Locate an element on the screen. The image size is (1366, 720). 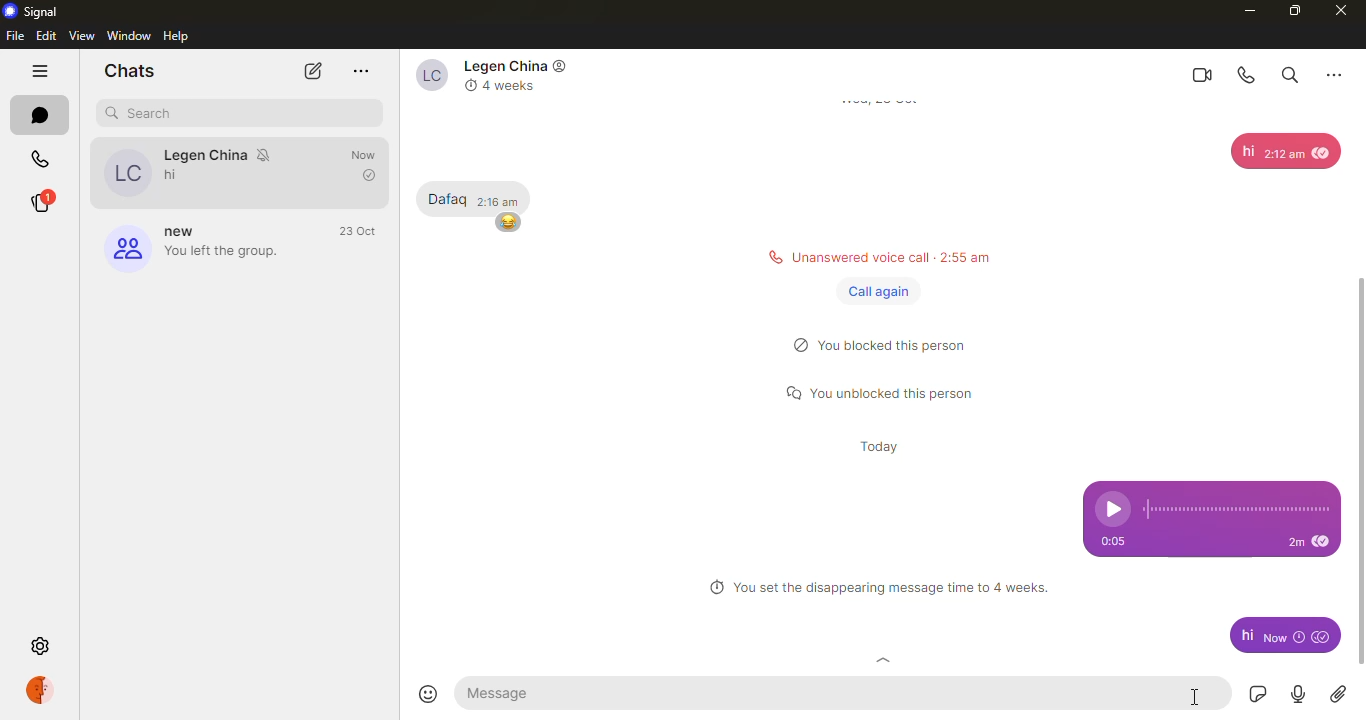
stories is located at coordinates (39, 203).